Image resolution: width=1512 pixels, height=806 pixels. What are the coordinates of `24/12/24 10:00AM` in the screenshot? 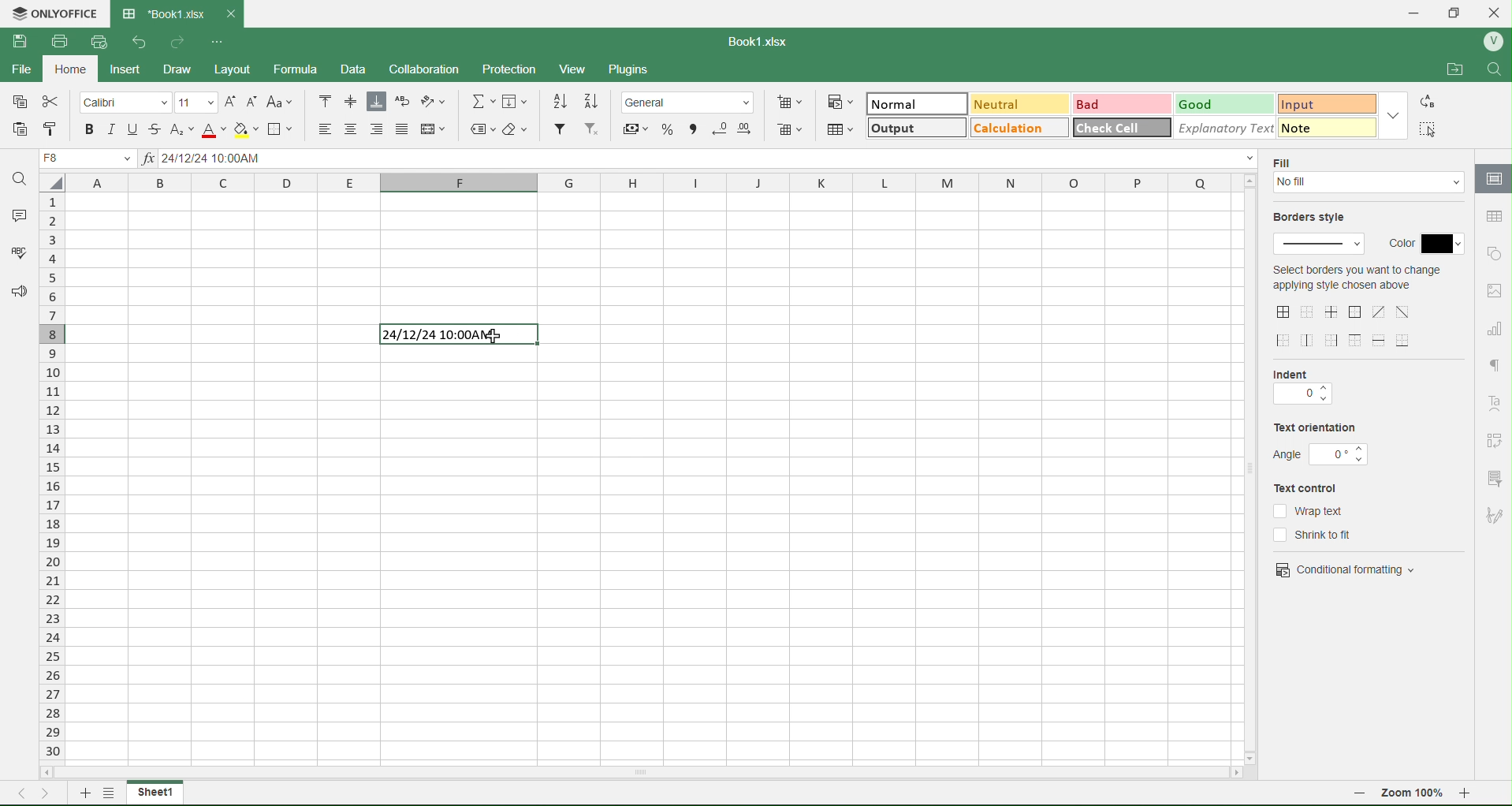 It's located at (453, 335).